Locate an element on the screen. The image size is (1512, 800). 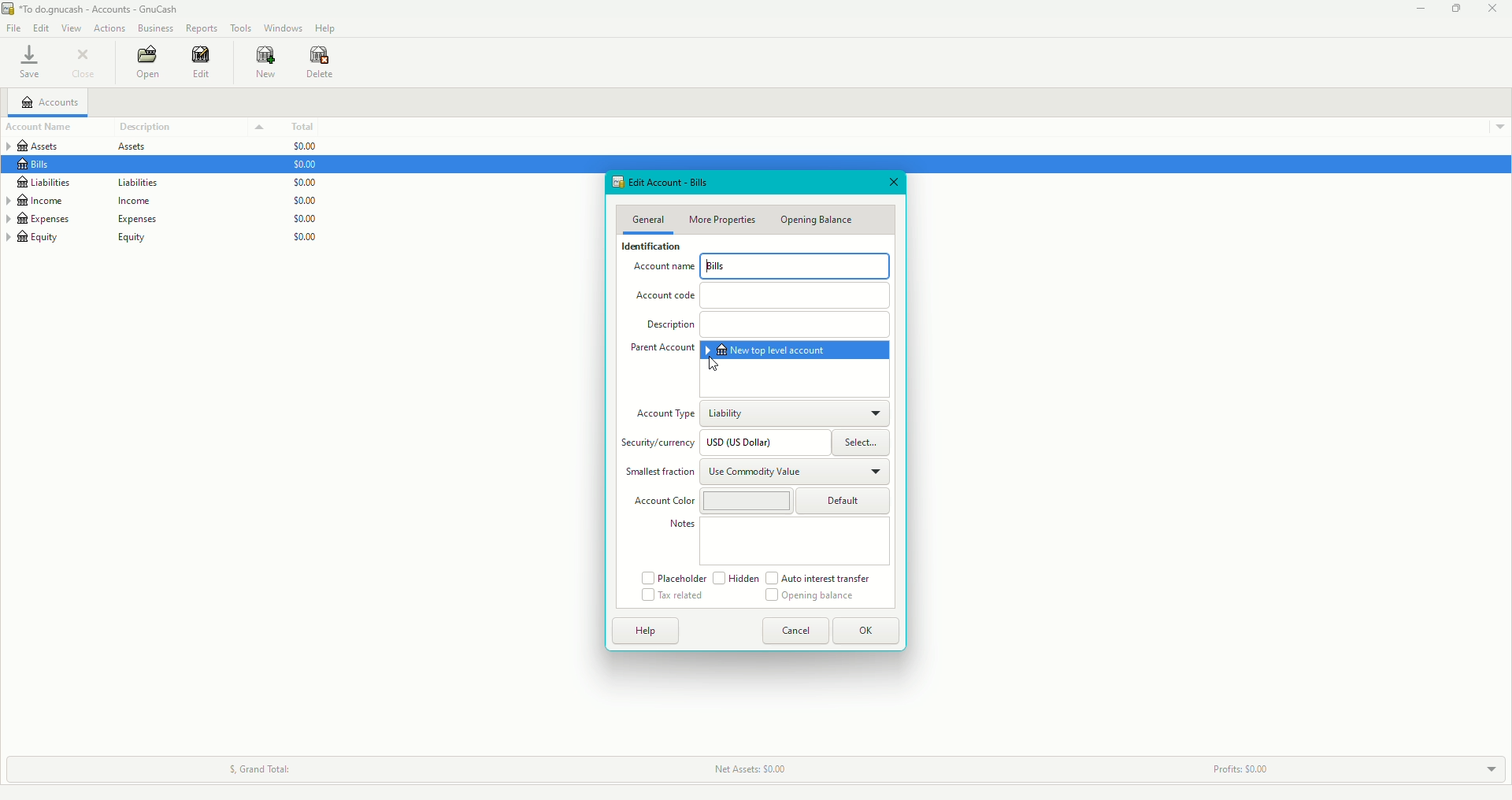
Grand Total is located at coordinates (254, 766).